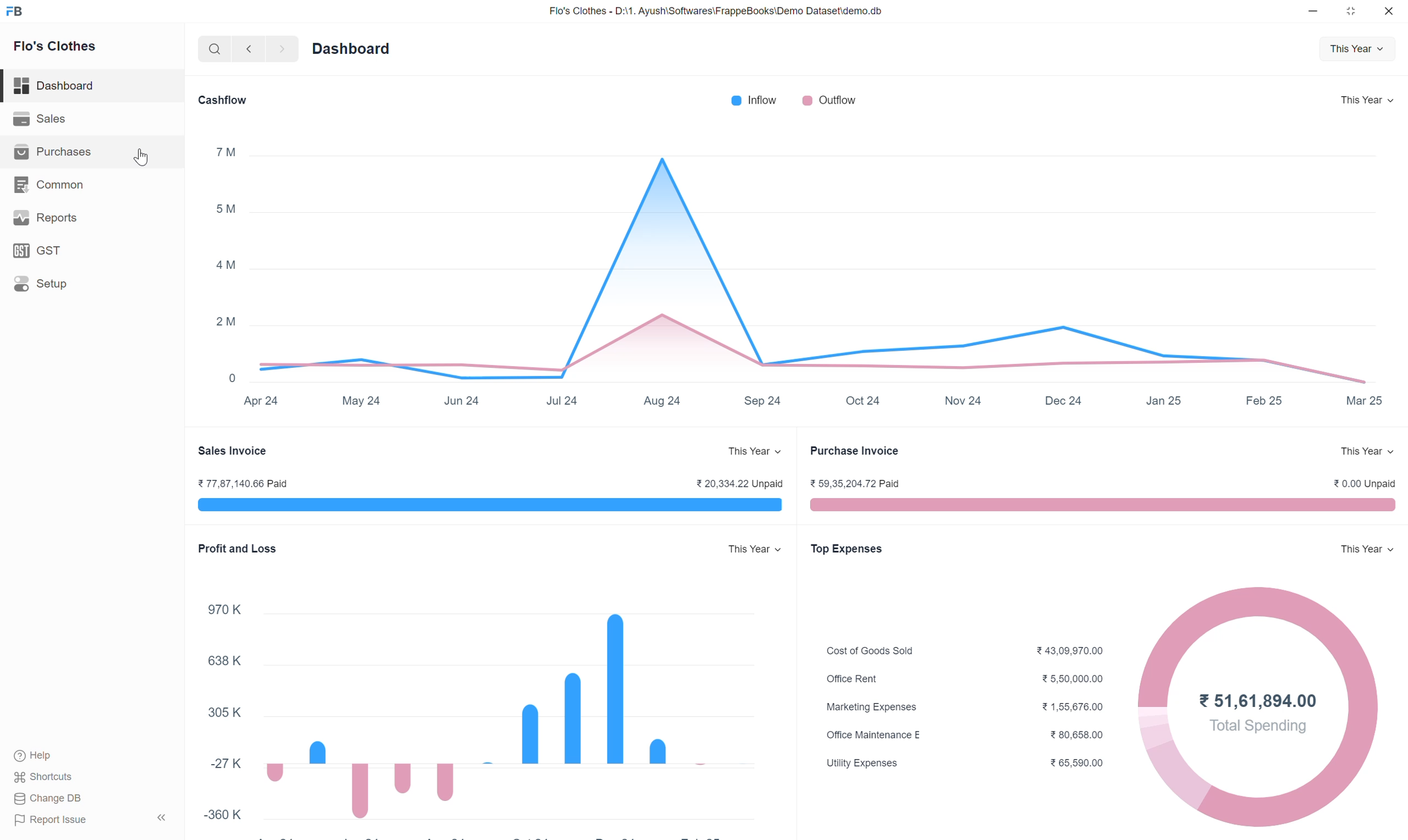 The height and width of the screenshot is (840, 1408). What do you see at coordinates (352, 49) in the screenshot?
I see `Dashboard` at bounding box center [352, 49].